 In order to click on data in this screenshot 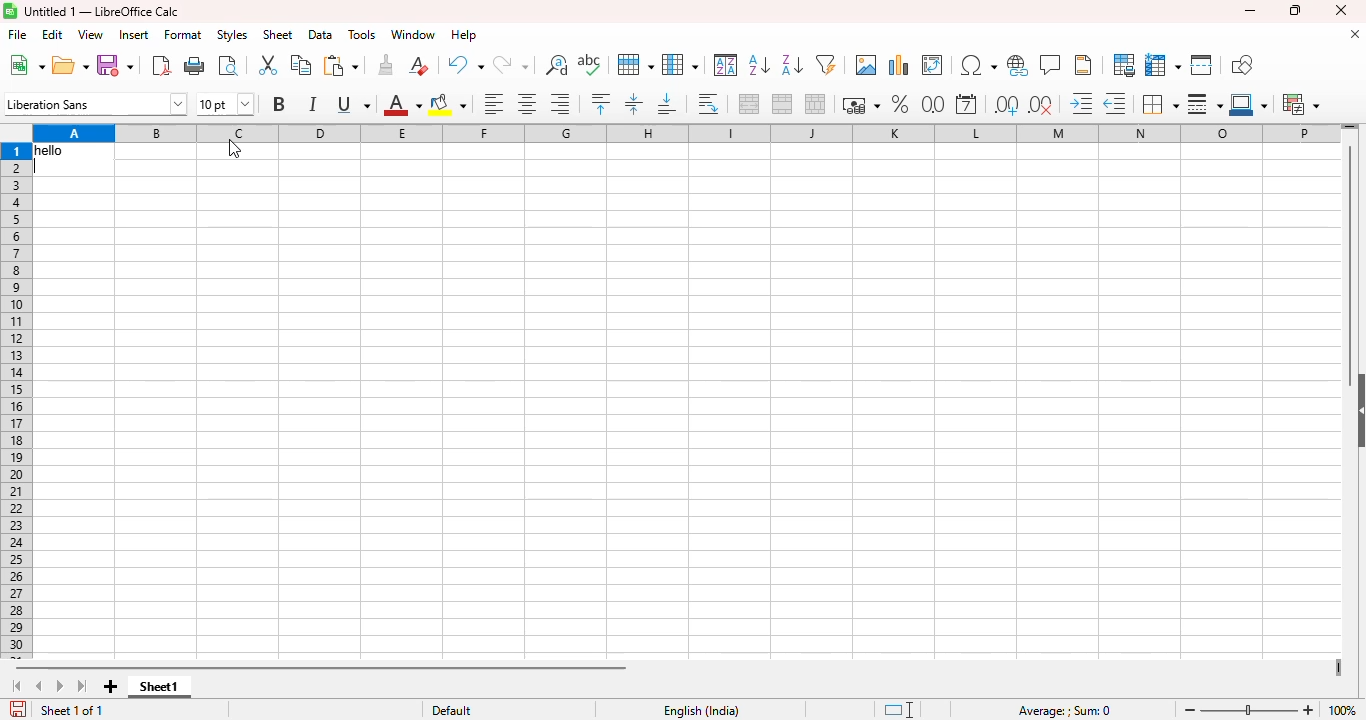, I will do `click(321, 34)`.